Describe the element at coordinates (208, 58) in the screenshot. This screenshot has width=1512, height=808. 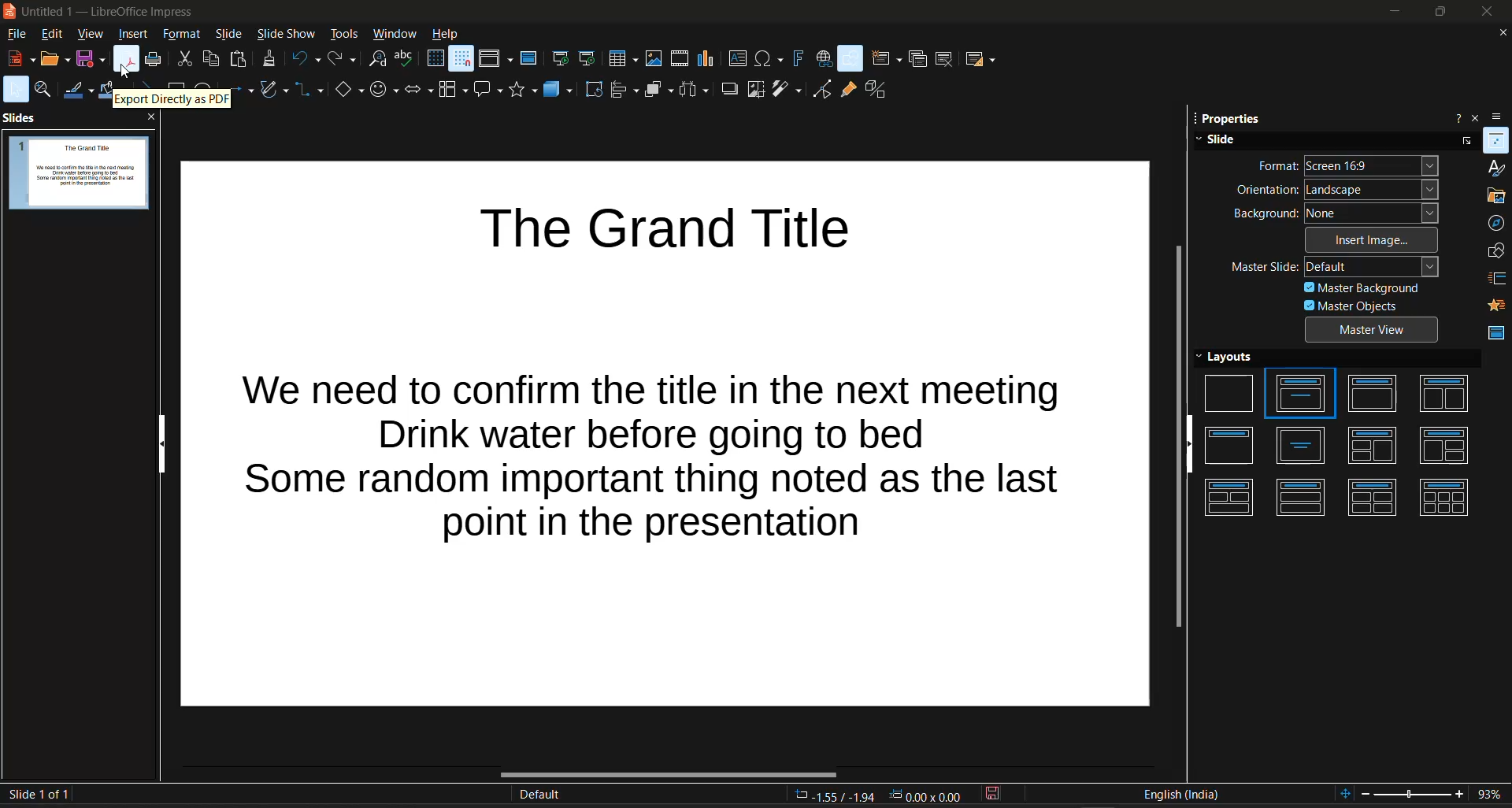
I see `copy` at that location.